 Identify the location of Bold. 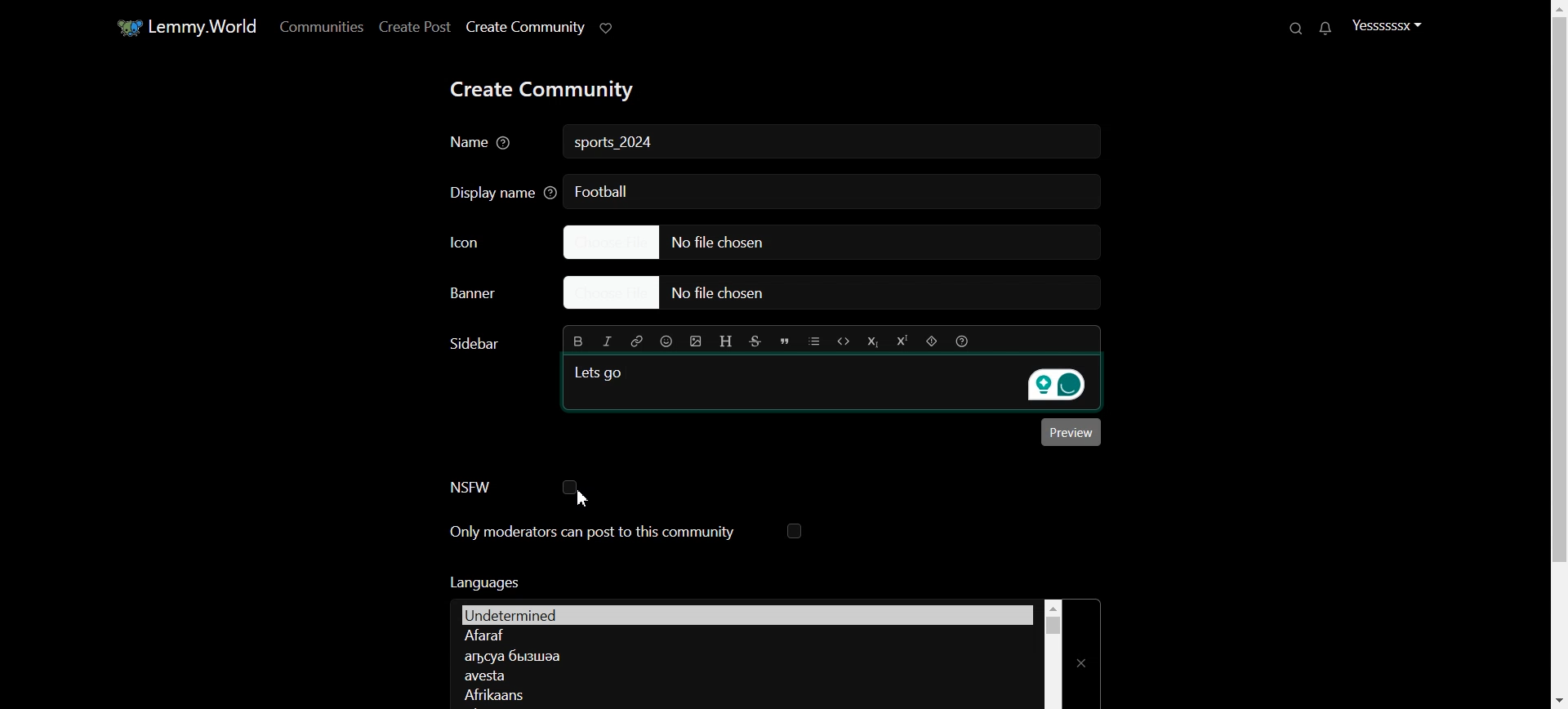
(579, 340).